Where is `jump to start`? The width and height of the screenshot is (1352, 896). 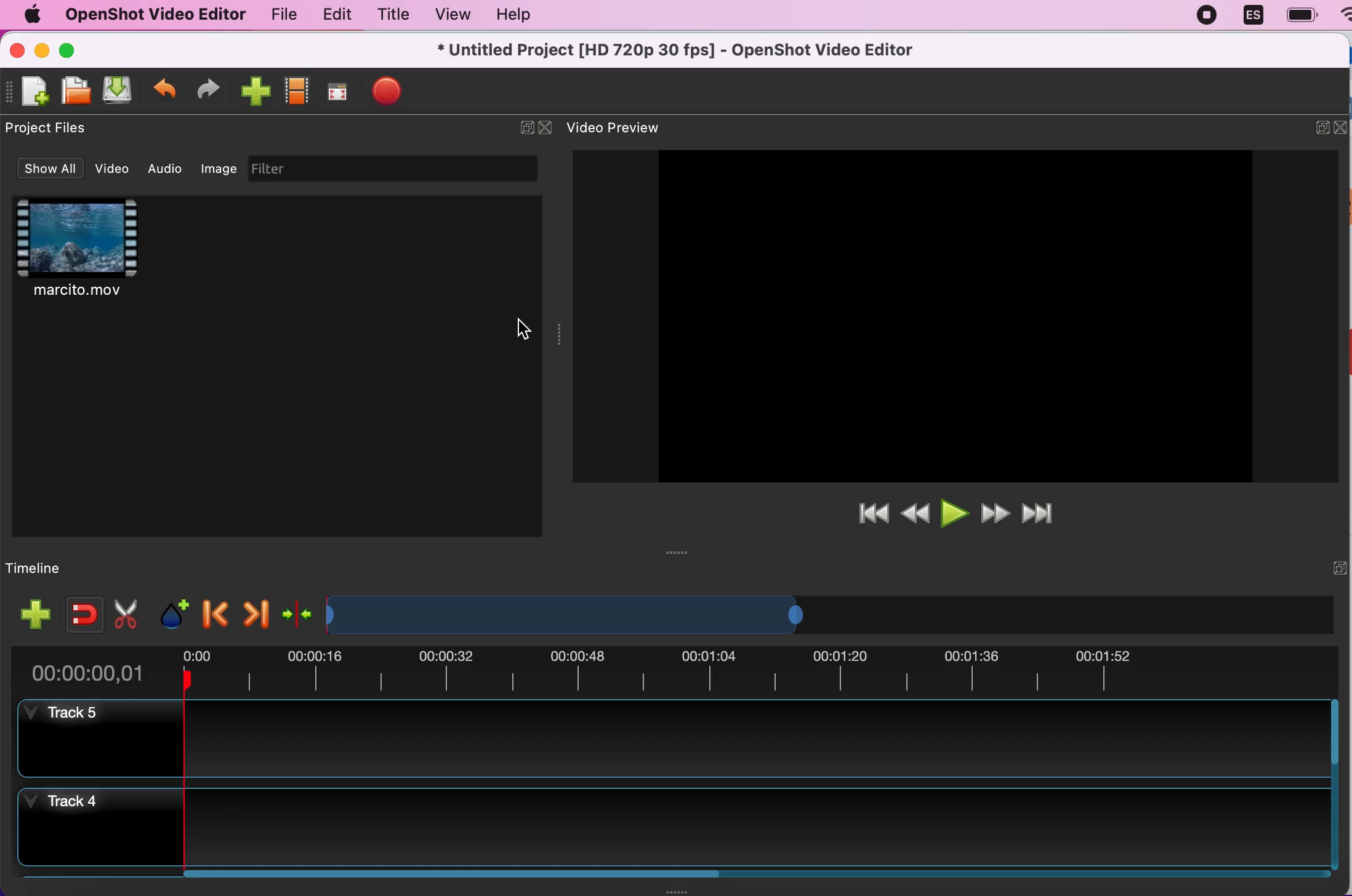 jump to start is located at coordinates (867, 511).